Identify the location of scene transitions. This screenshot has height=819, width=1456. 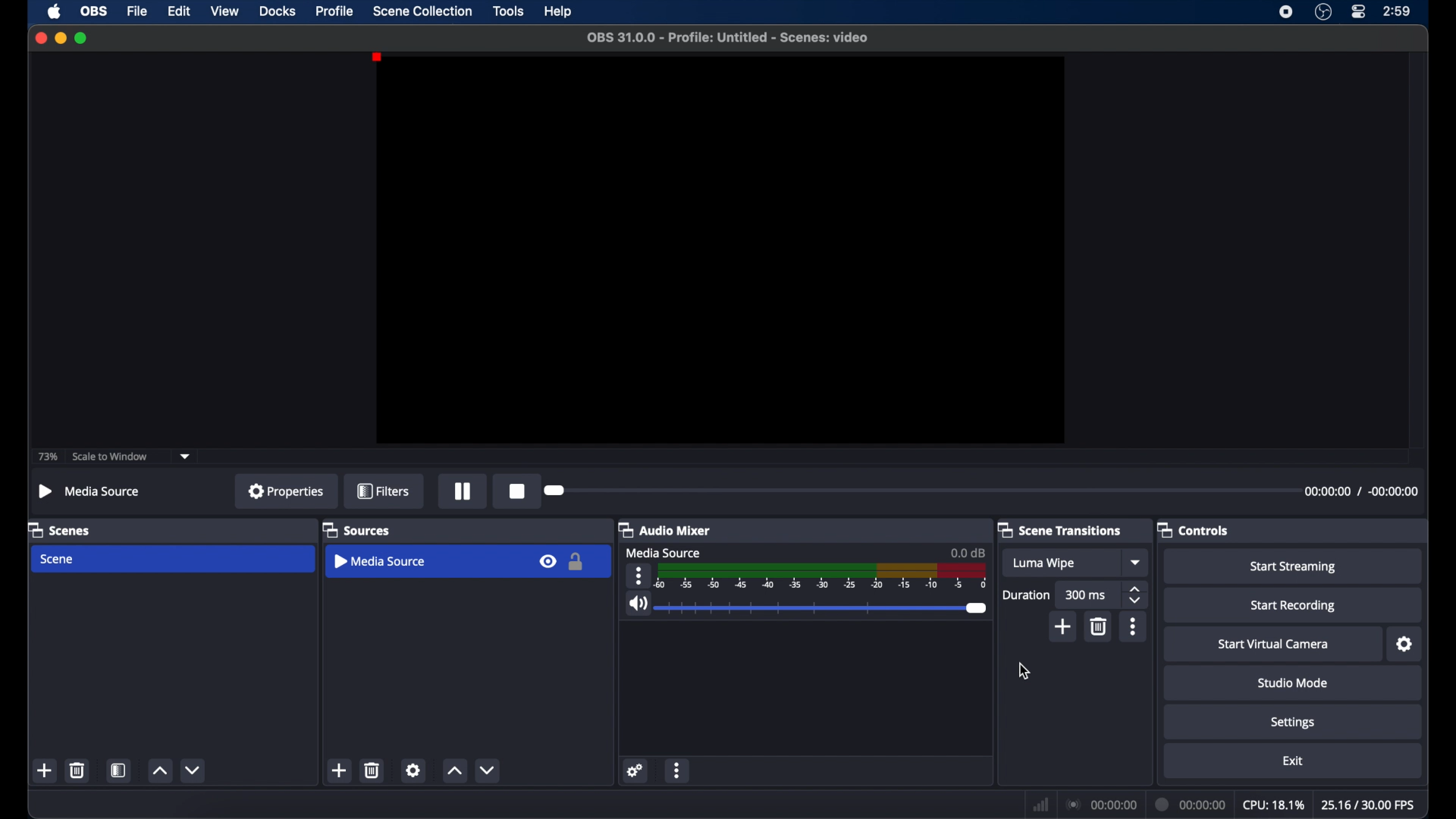
(1059, 529).